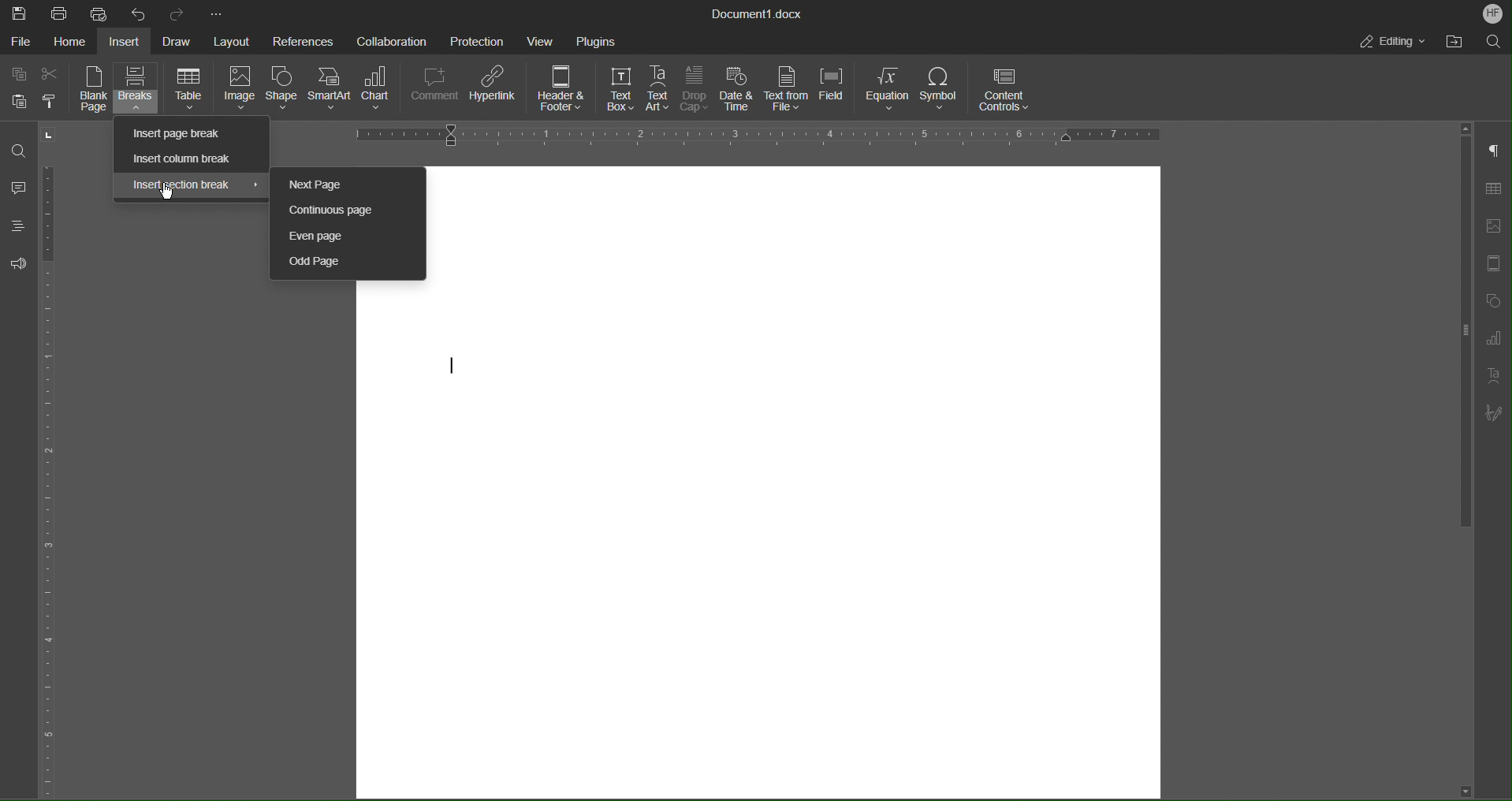 The image size is (1512, 801). Describe the element at coordinates (315, 234) in the screenshot. I see `Even page` at that location.